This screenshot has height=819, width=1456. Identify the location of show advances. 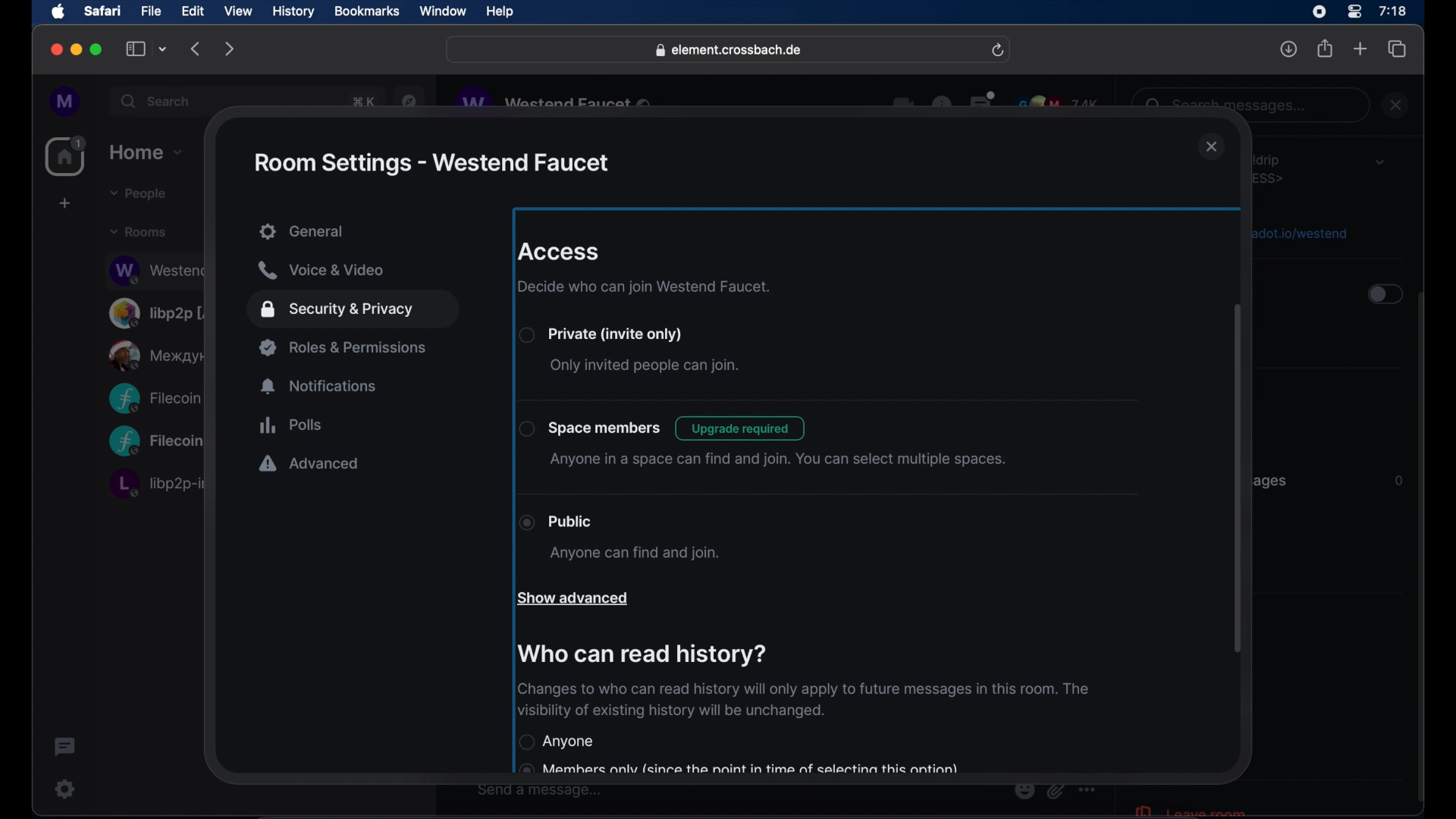
(576, 599).